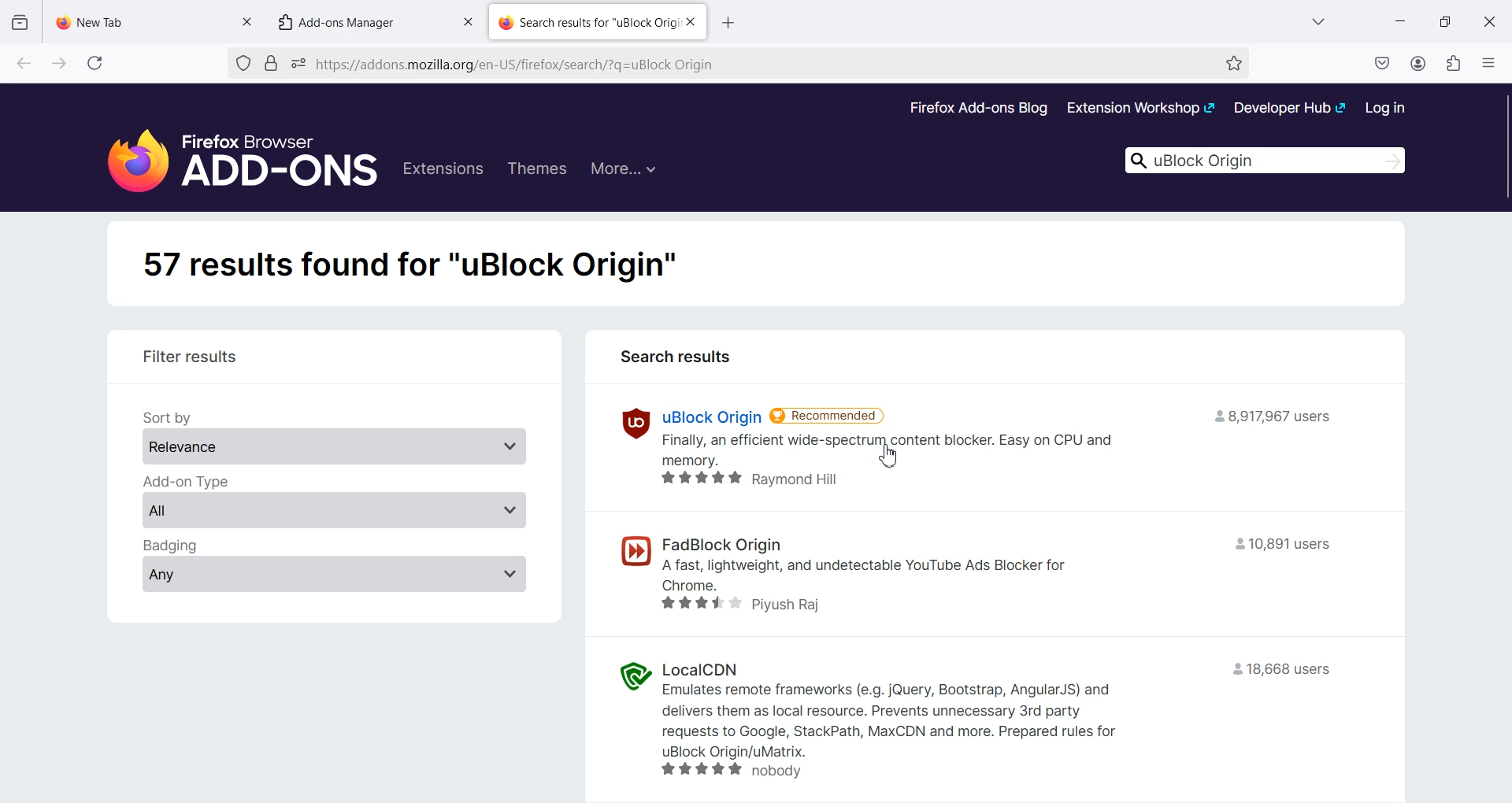  I want to click on Raymond Hill, so click(799, 480).